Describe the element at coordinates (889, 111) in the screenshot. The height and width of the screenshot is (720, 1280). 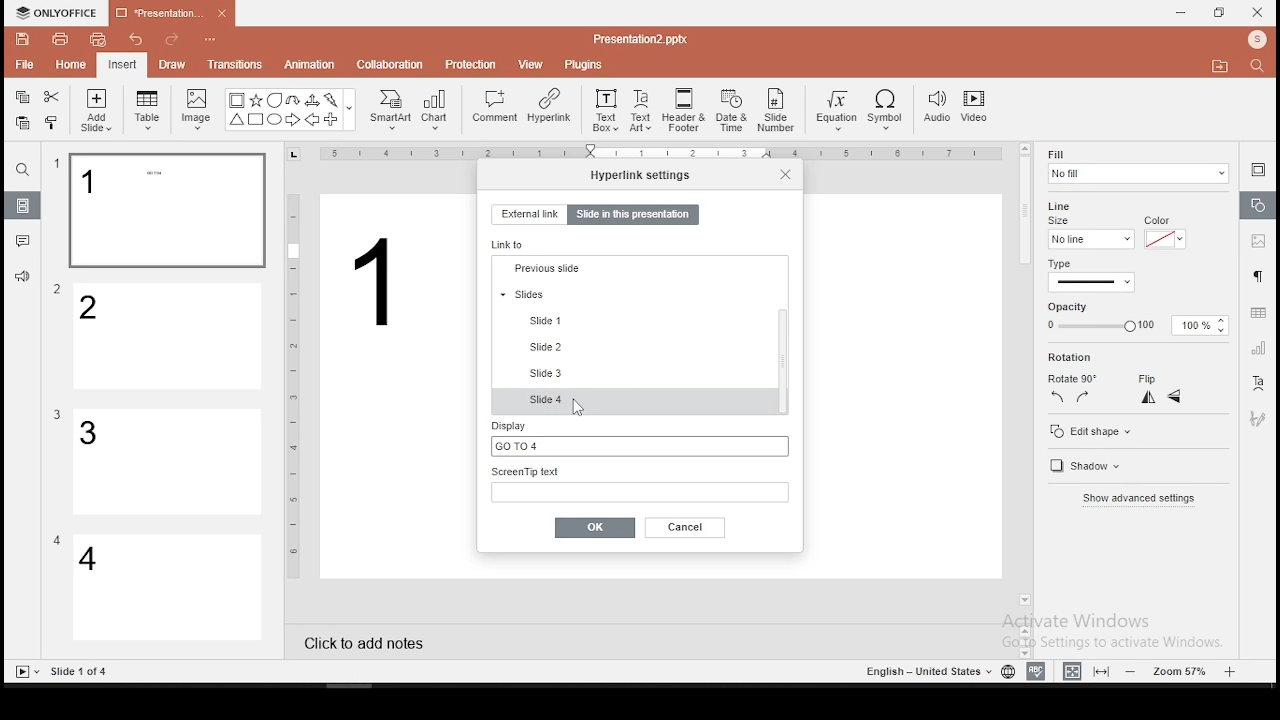
I see `symbol` at that location.